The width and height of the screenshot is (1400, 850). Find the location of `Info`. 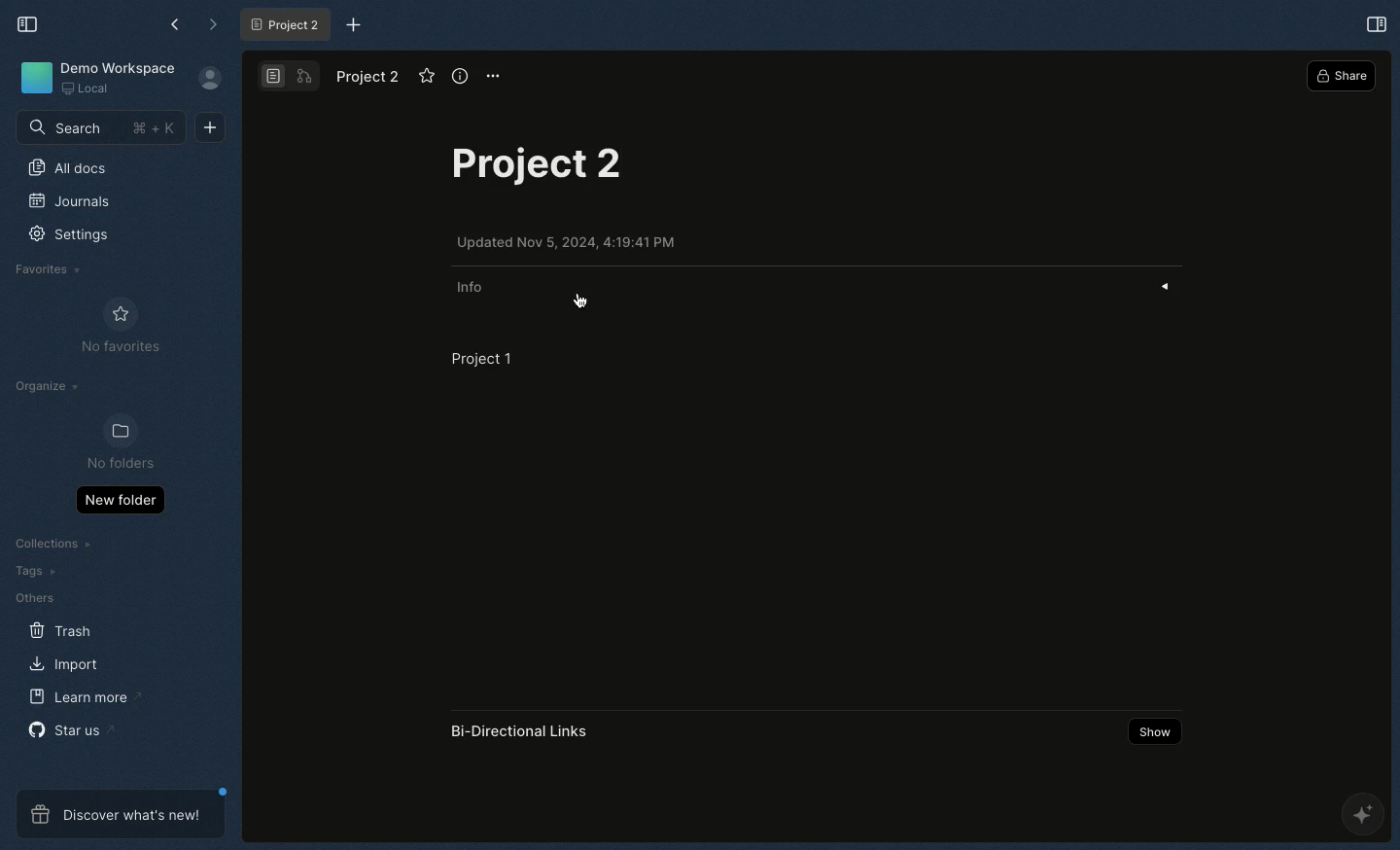

Info is located at coordinates (473, 287).